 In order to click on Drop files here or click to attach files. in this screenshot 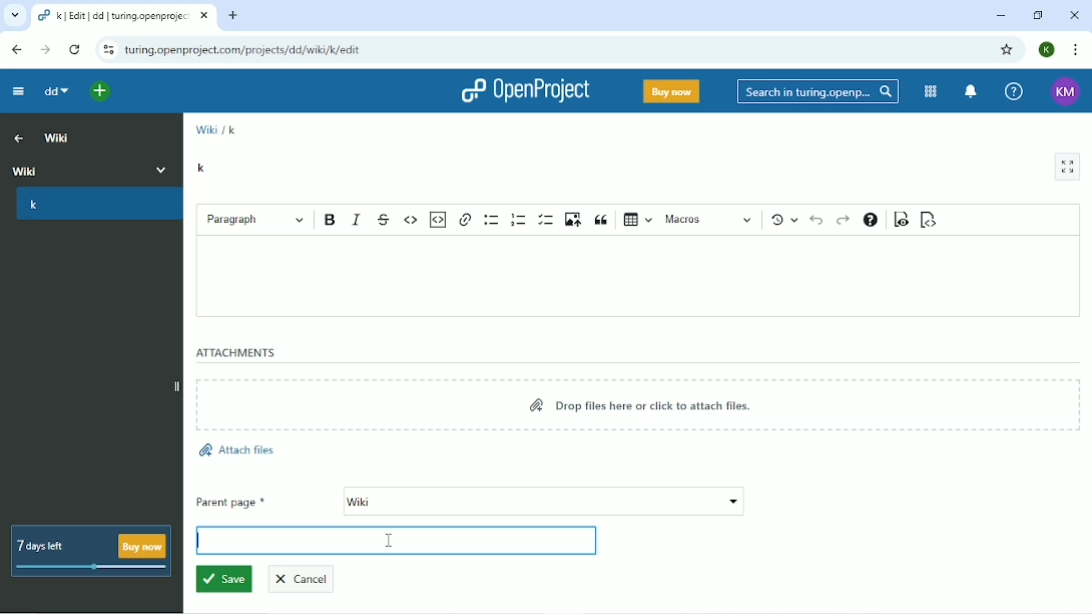, I will do `click(643, 405)`.